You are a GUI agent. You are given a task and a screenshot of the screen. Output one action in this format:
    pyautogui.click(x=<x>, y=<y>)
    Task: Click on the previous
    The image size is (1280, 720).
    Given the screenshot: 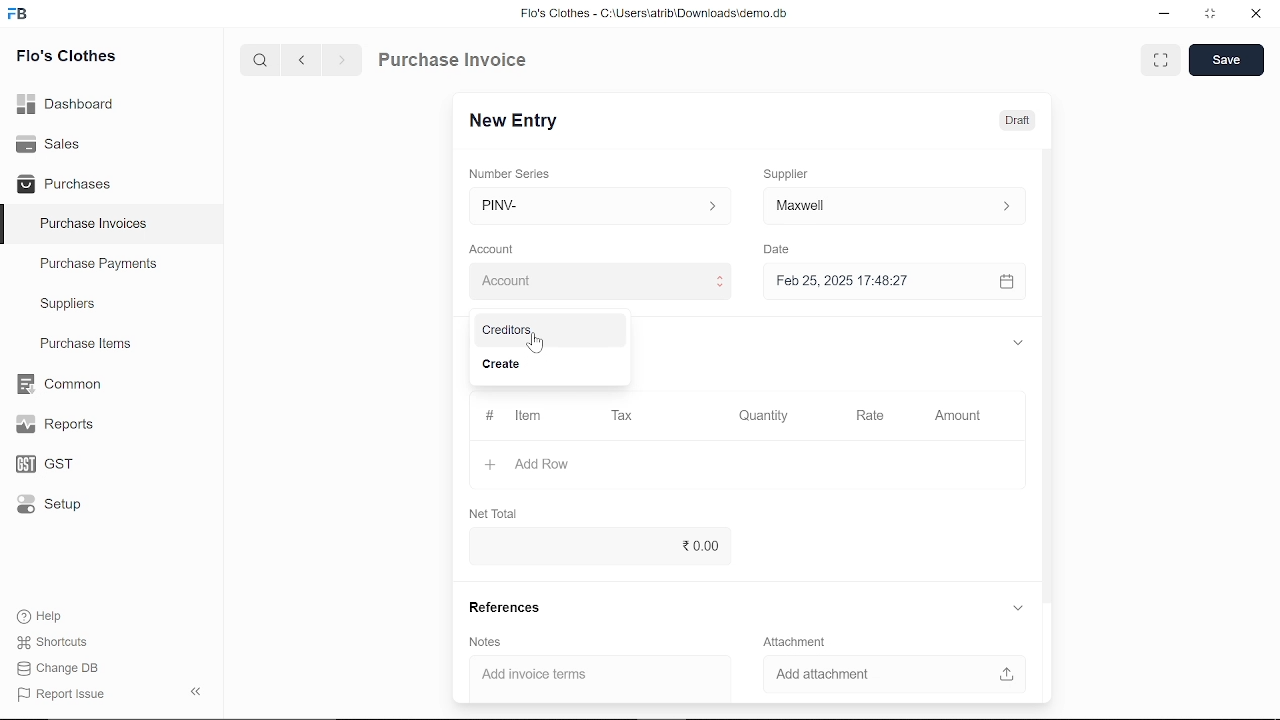 What is the action you would take?
    pyautogui.click(x=303, y=62)
    